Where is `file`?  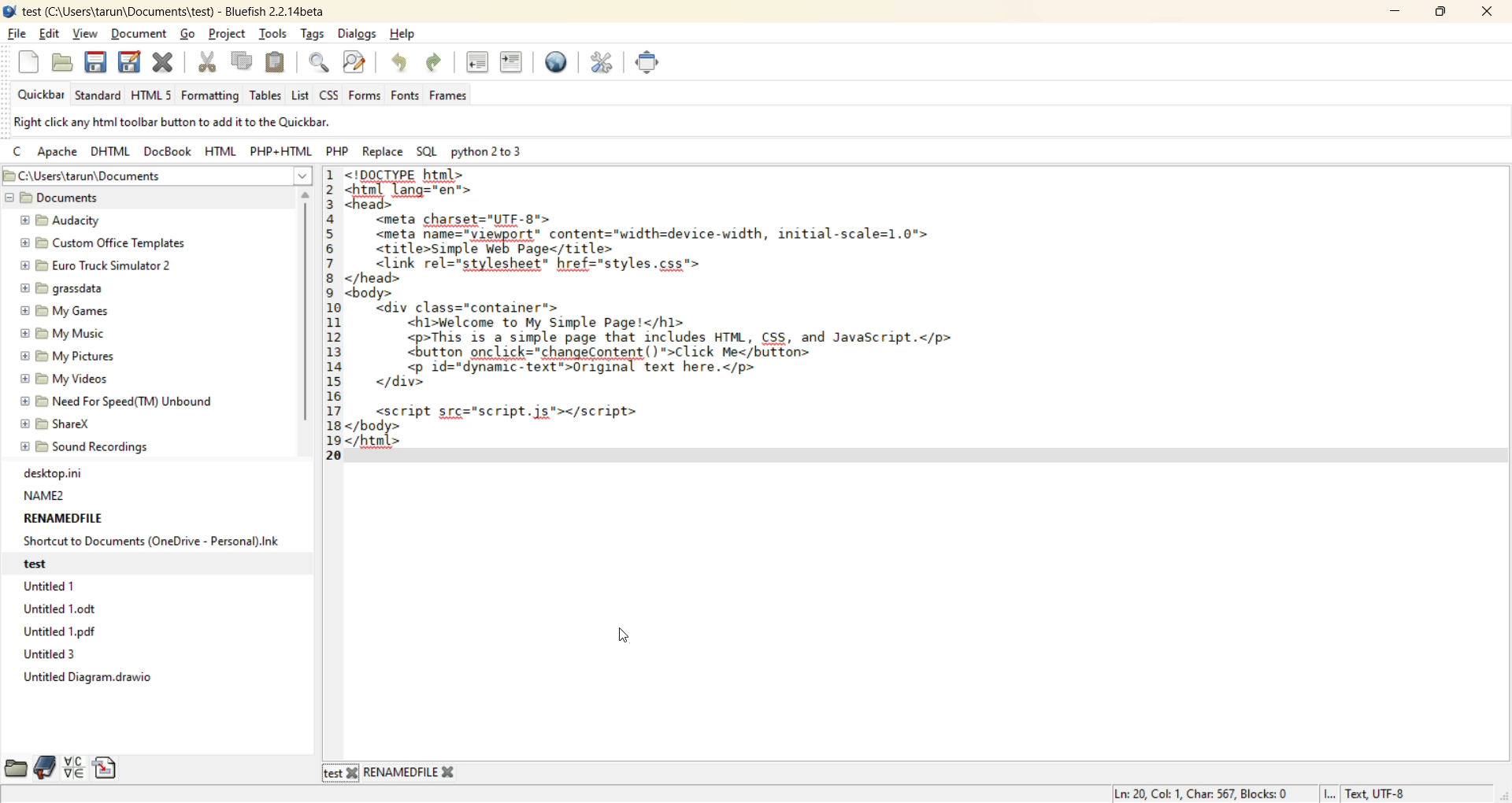 file is located at coordinates (15, 34).